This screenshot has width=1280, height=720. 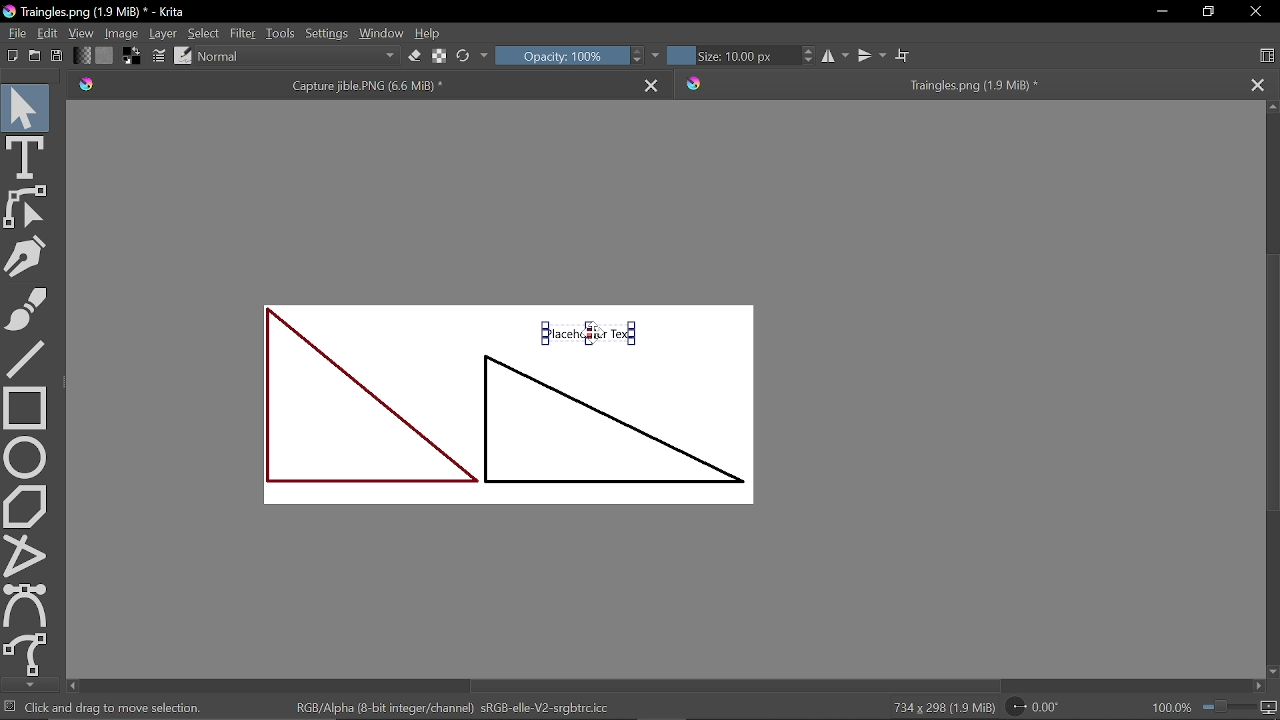 What do you see at coordinates (16, 34) in the screenshot?
I see `File` at bounding box center [16, 34].